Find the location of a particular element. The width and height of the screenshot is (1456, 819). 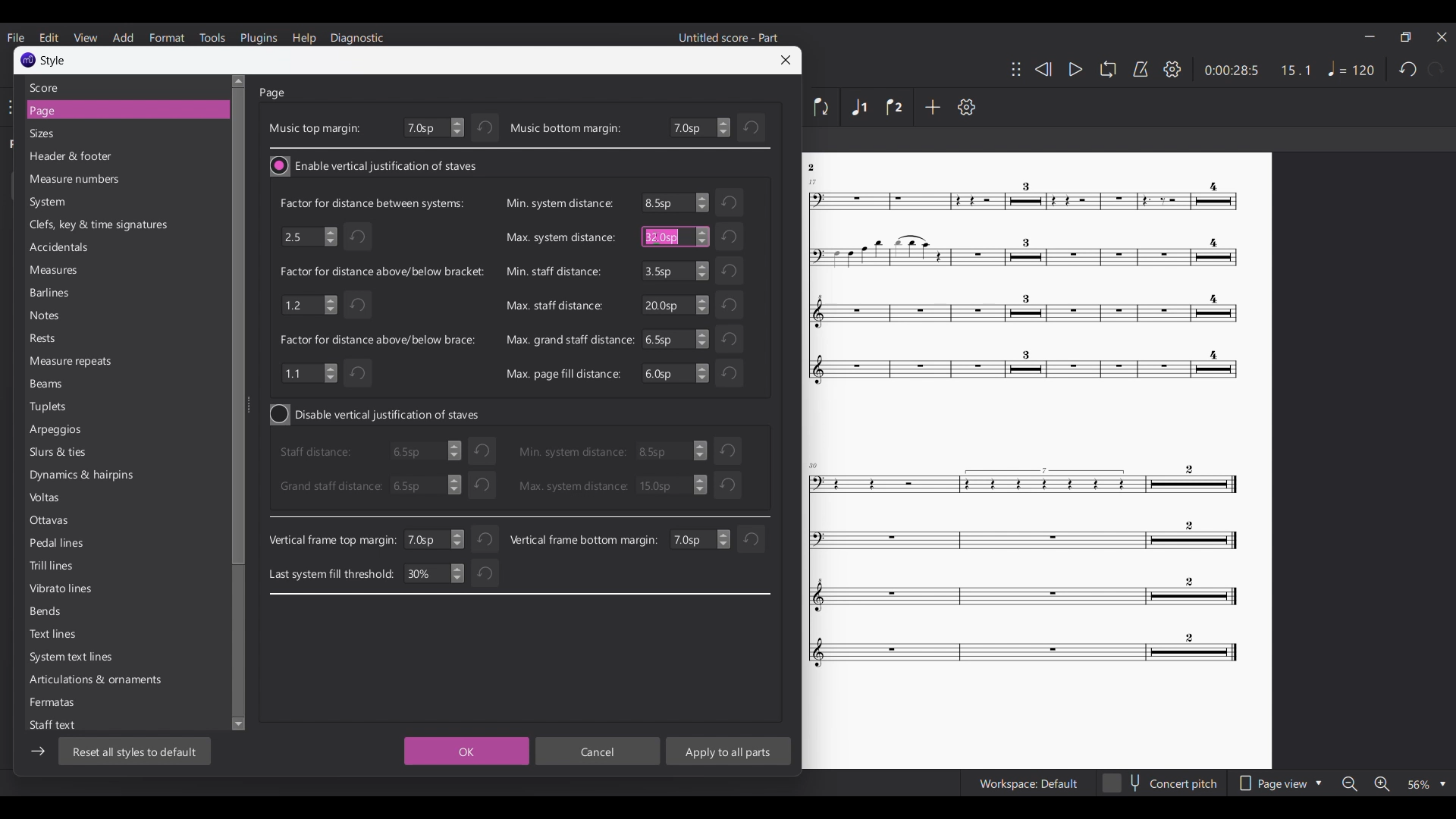

Bends is located at coordinates (80, 613).